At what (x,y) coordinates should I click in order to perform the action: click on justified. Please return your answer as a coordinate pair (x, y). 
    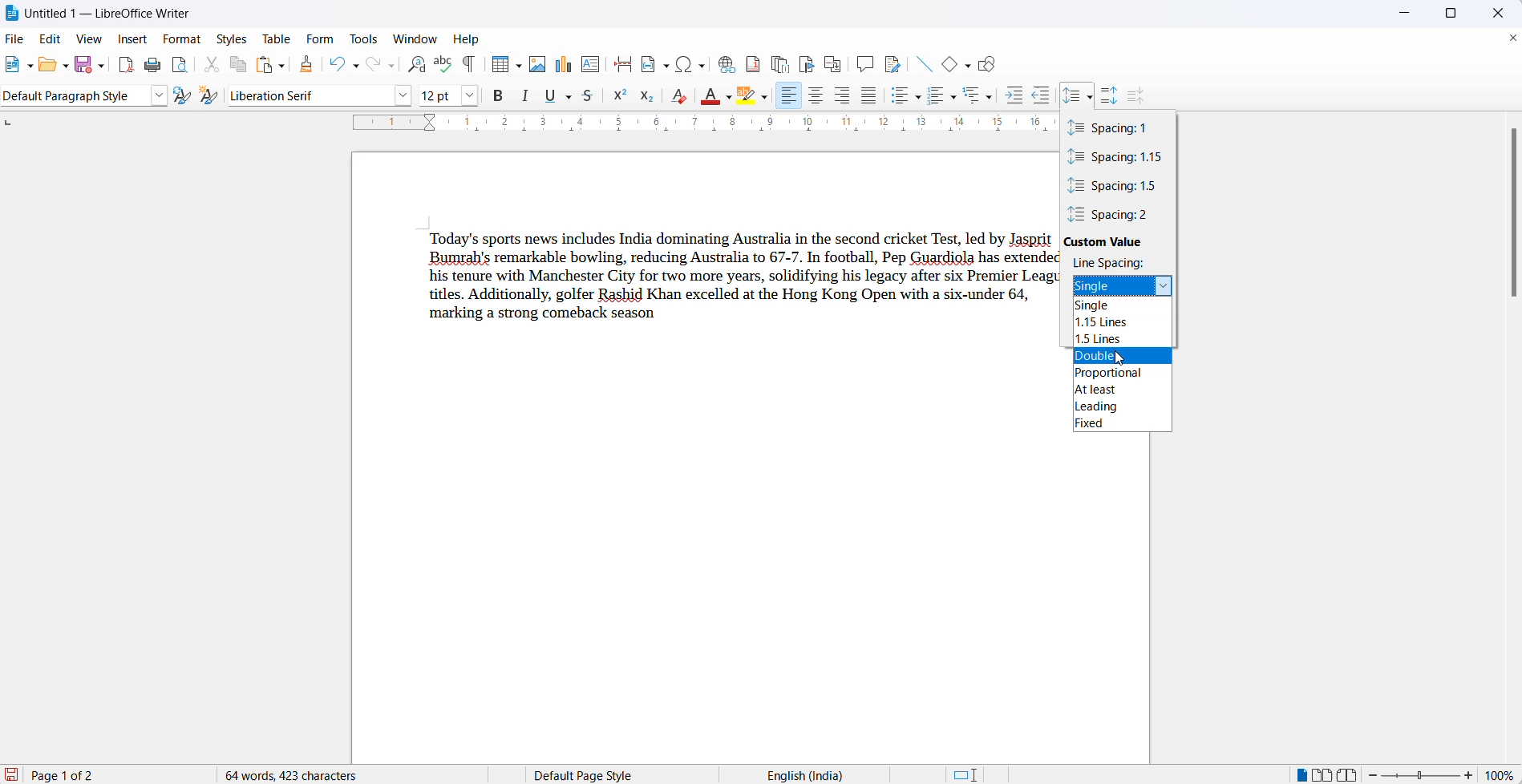
    Looking at the image, I should click on (868, 96).